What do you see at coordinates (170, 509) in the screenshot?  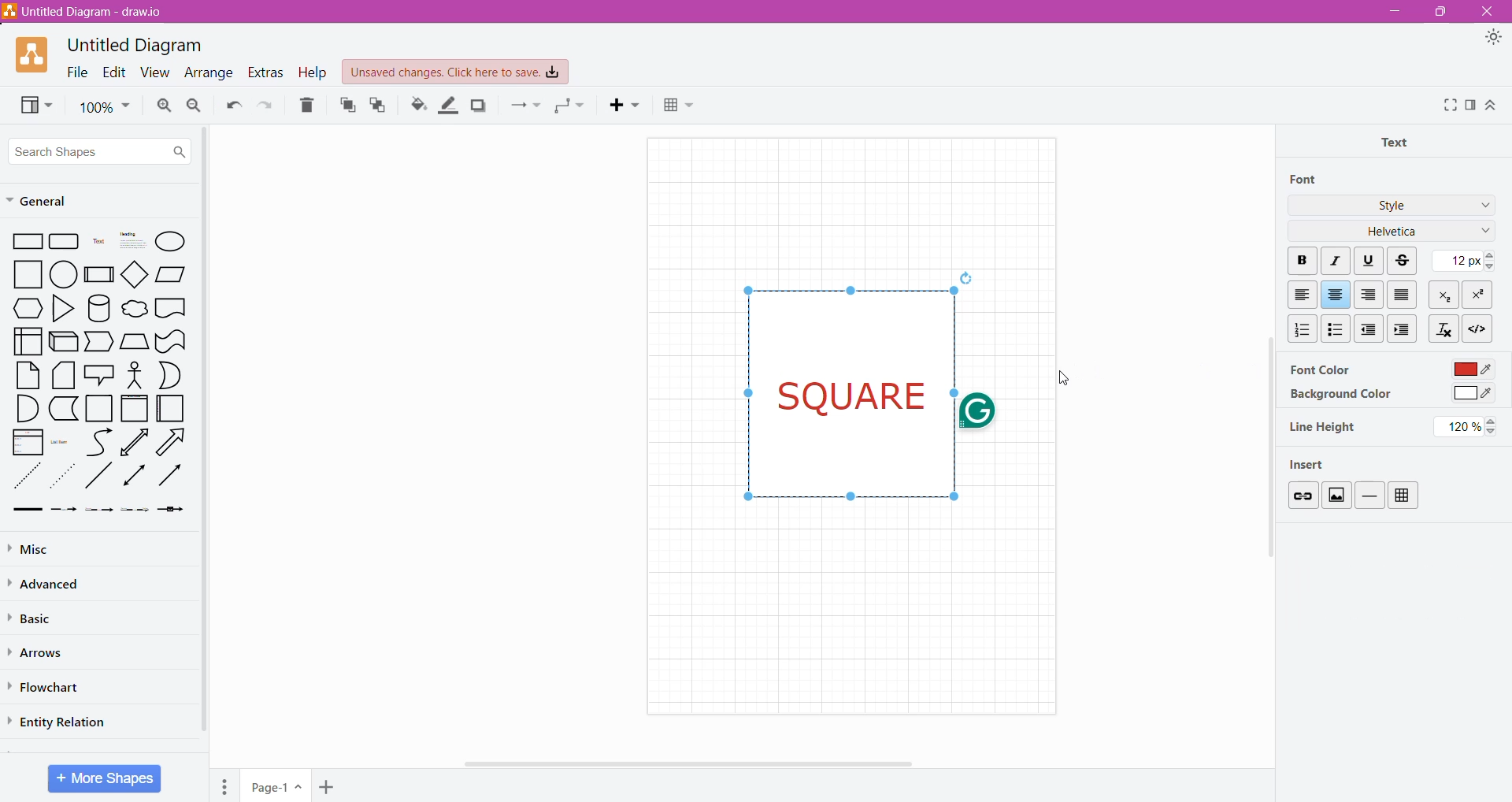 I see `Arrow with a Box` at bounding box center [170, 509].